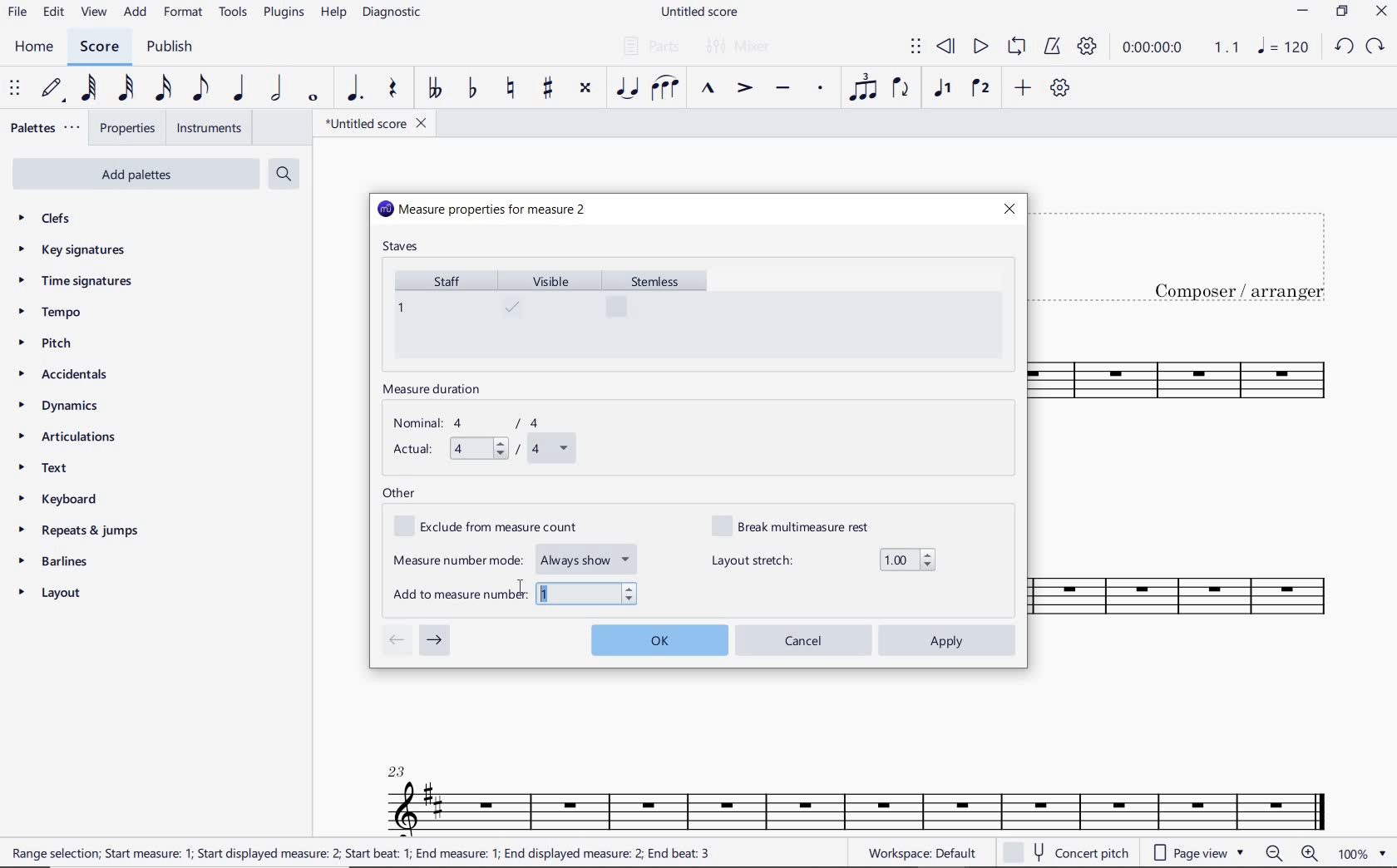 Image resolution: width=1397 pixels, height=868 pixels. I want to click on BARLINES, so click(59, 565).